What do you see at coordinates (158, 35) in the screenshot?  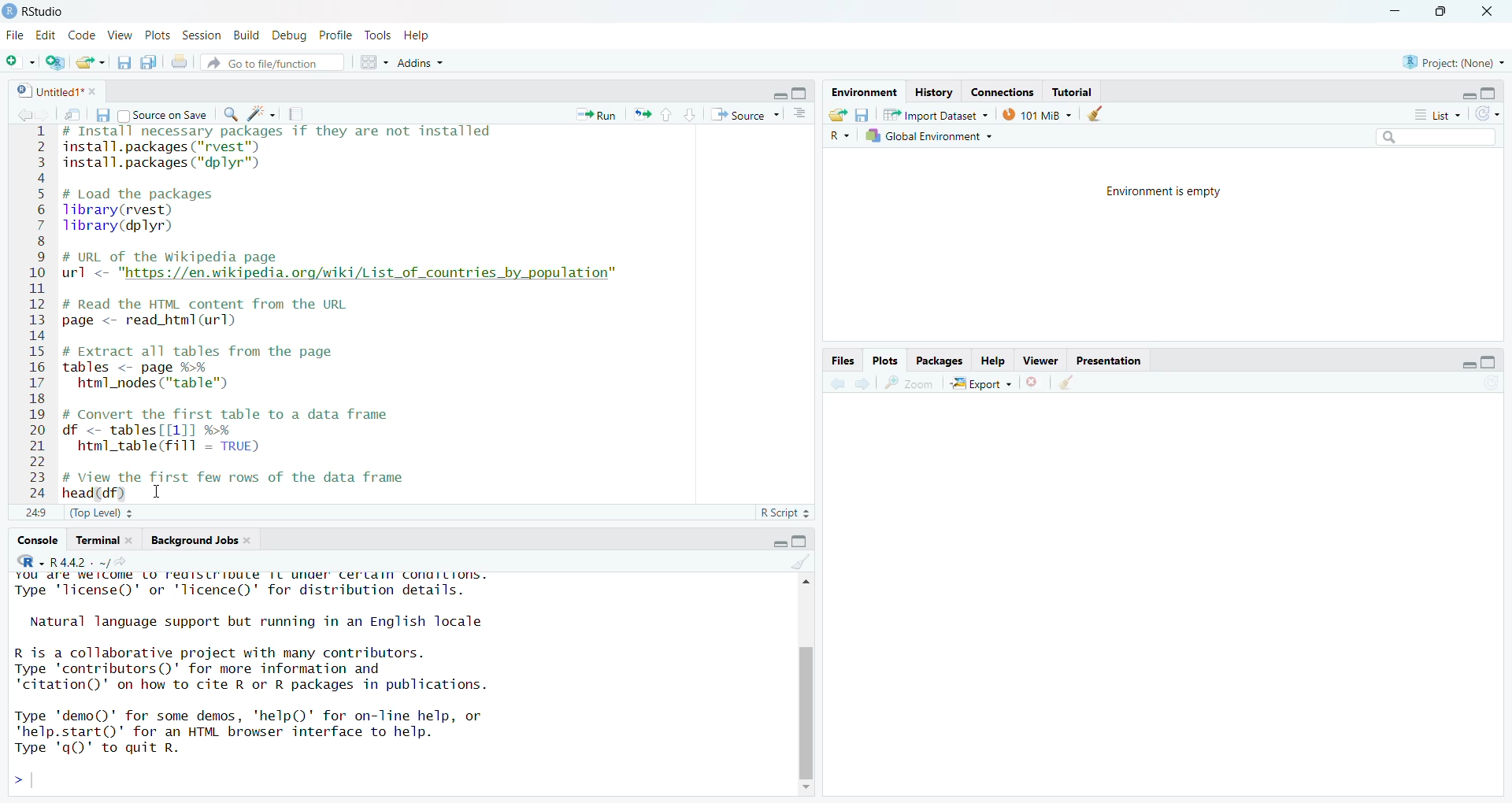 I see `Plots` at bounding box center [158, 35].